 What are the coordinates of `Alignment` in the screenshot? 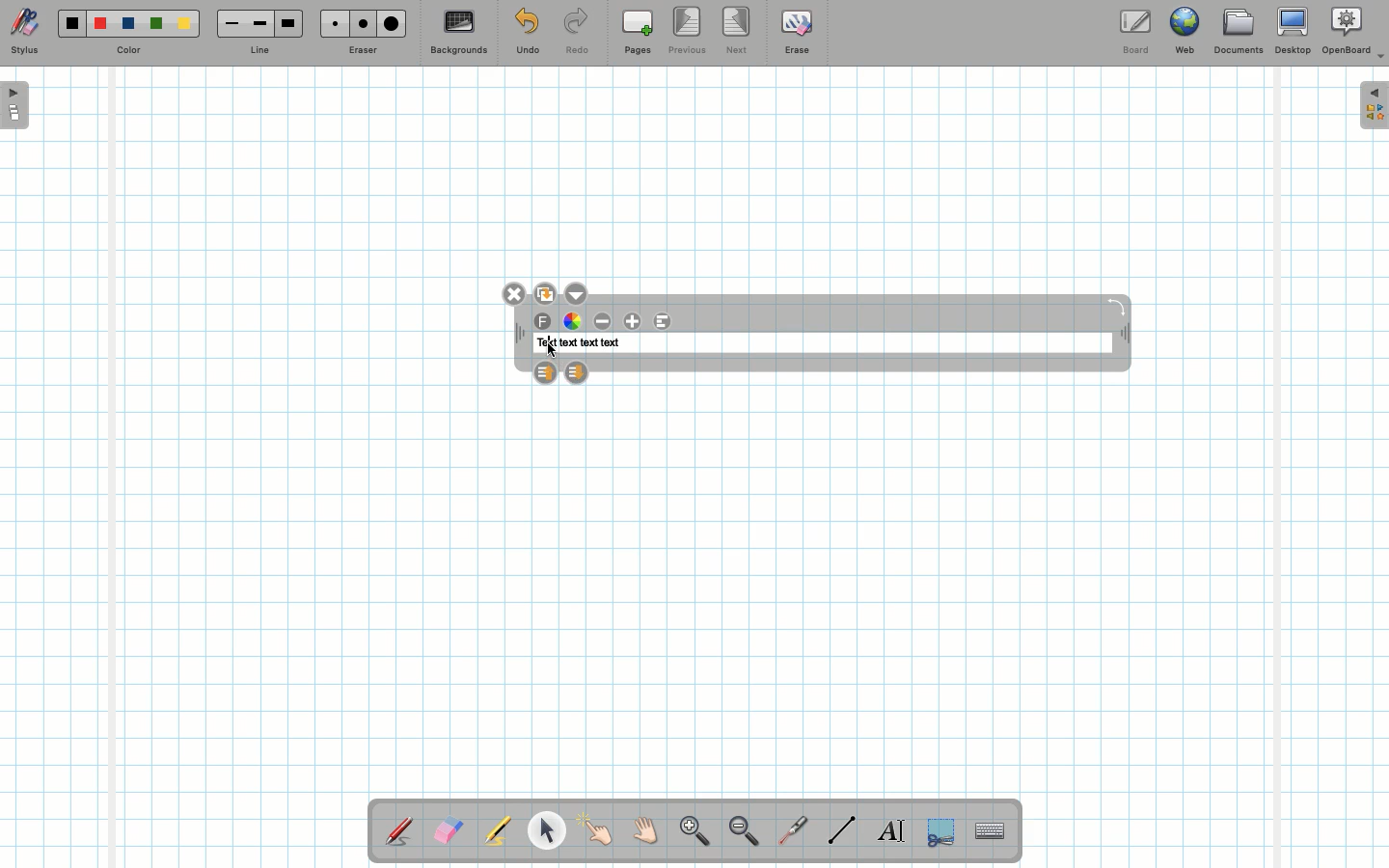 It's located at (662, 322).